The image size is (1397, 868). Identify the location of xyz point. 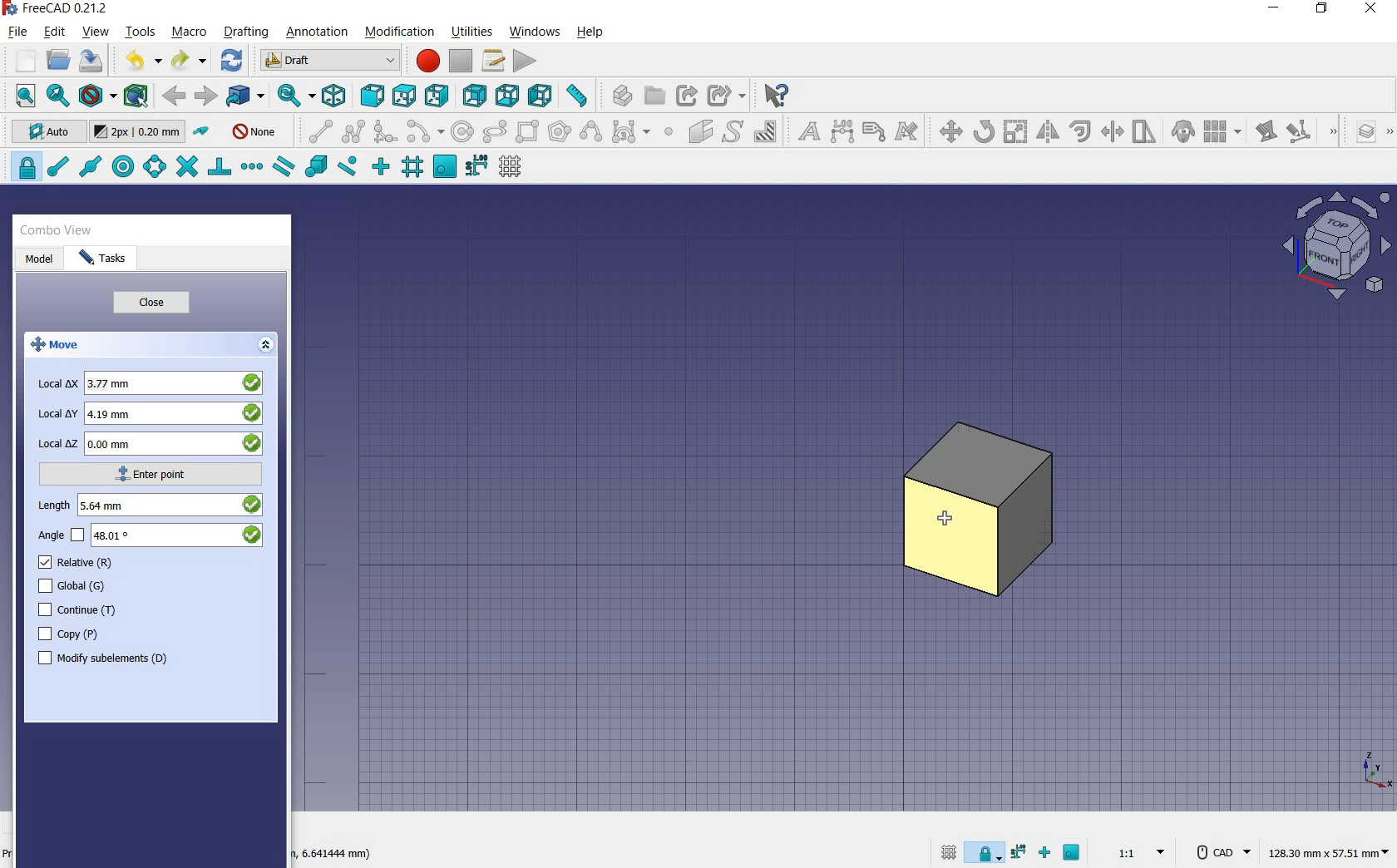
(1376, 771).